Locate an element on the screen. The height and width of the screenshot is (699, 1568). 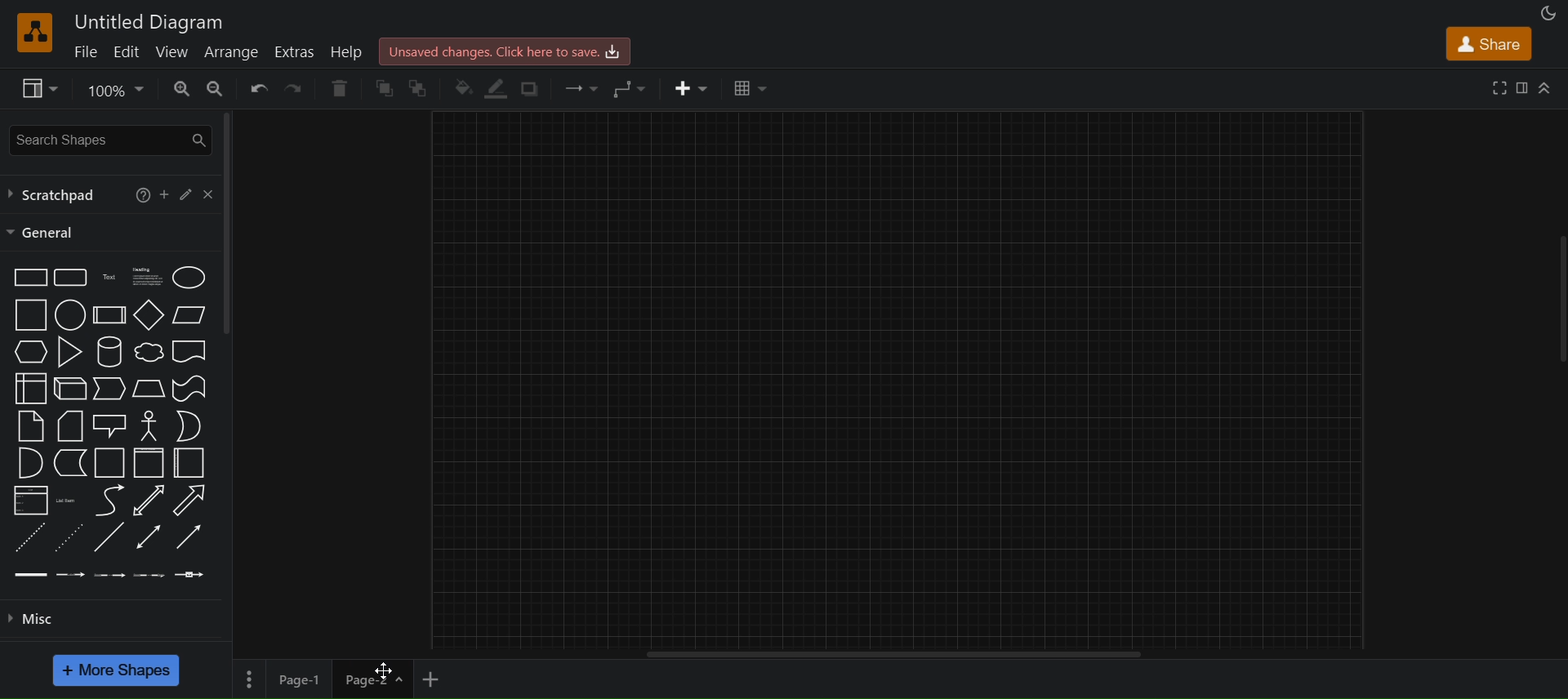
directional connector is located at coordinates (189, 536).